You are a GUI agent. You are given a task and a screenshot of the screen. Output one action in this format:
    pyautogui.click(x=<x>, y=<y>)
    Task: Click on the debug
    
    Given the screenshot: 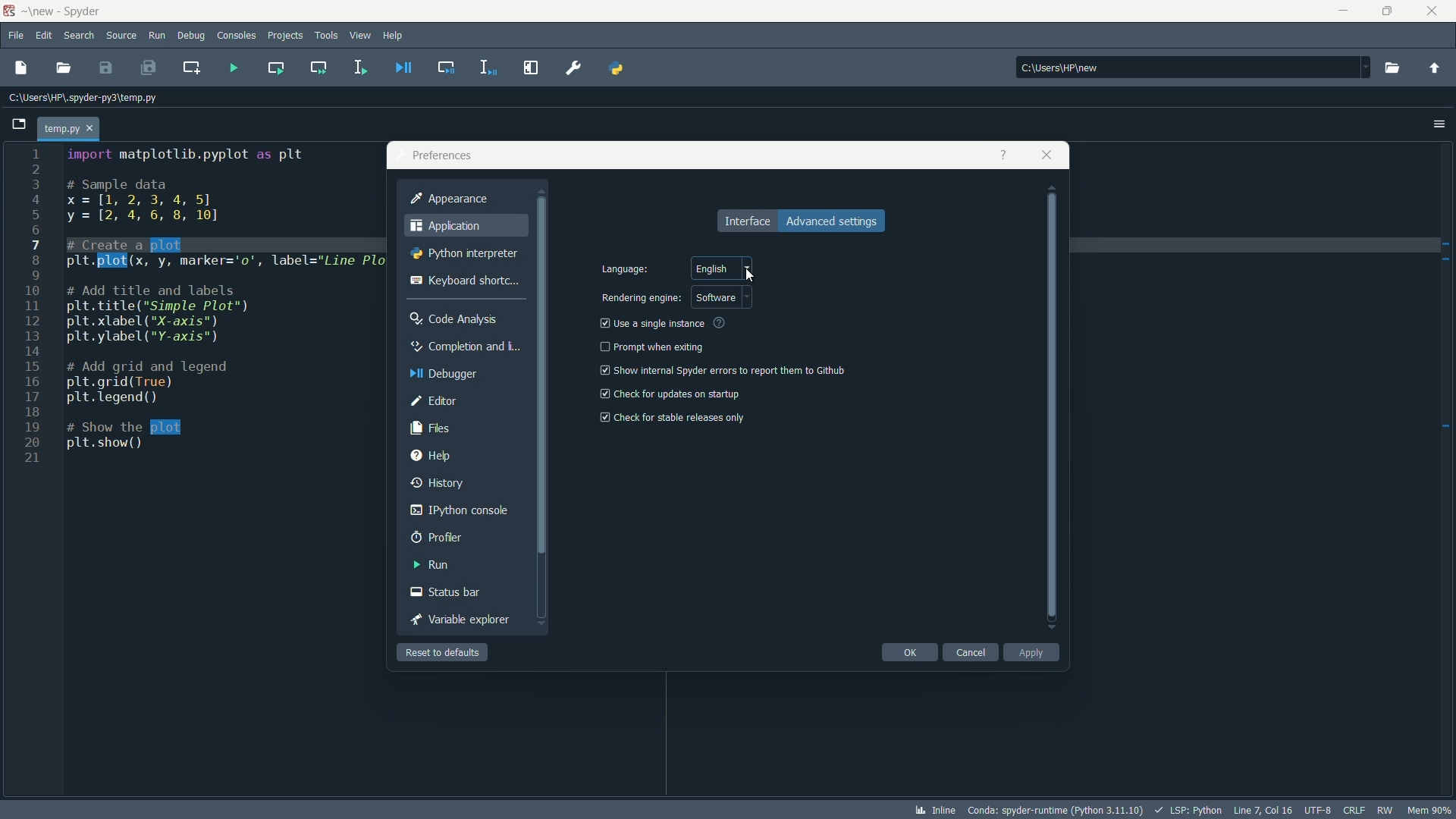 What is the action you would take?
    pyautogui.click(x=193, y=36)
    